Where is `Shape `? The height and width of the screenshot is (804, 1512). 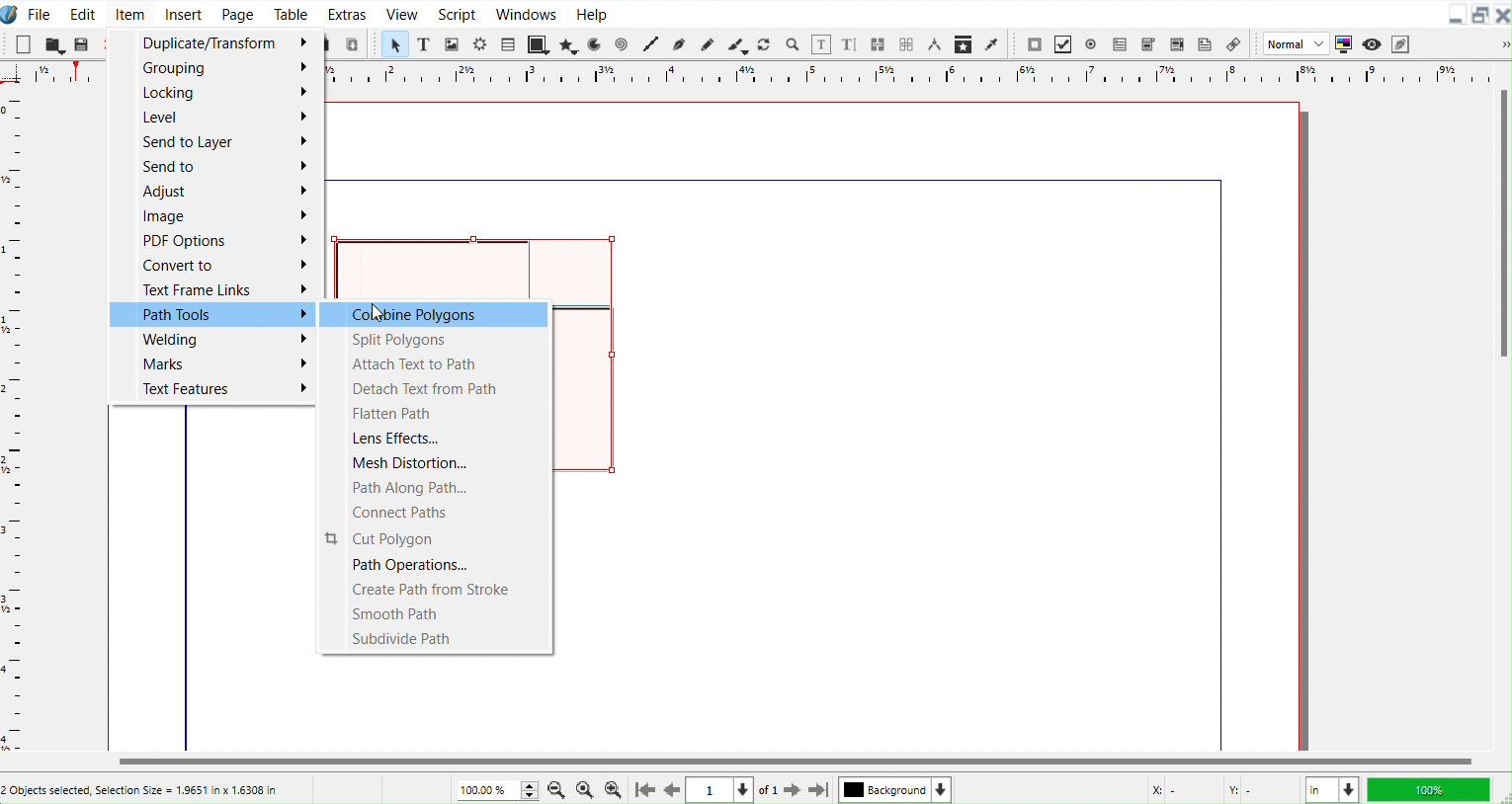
Shape  is located at coordinates (539, 43).